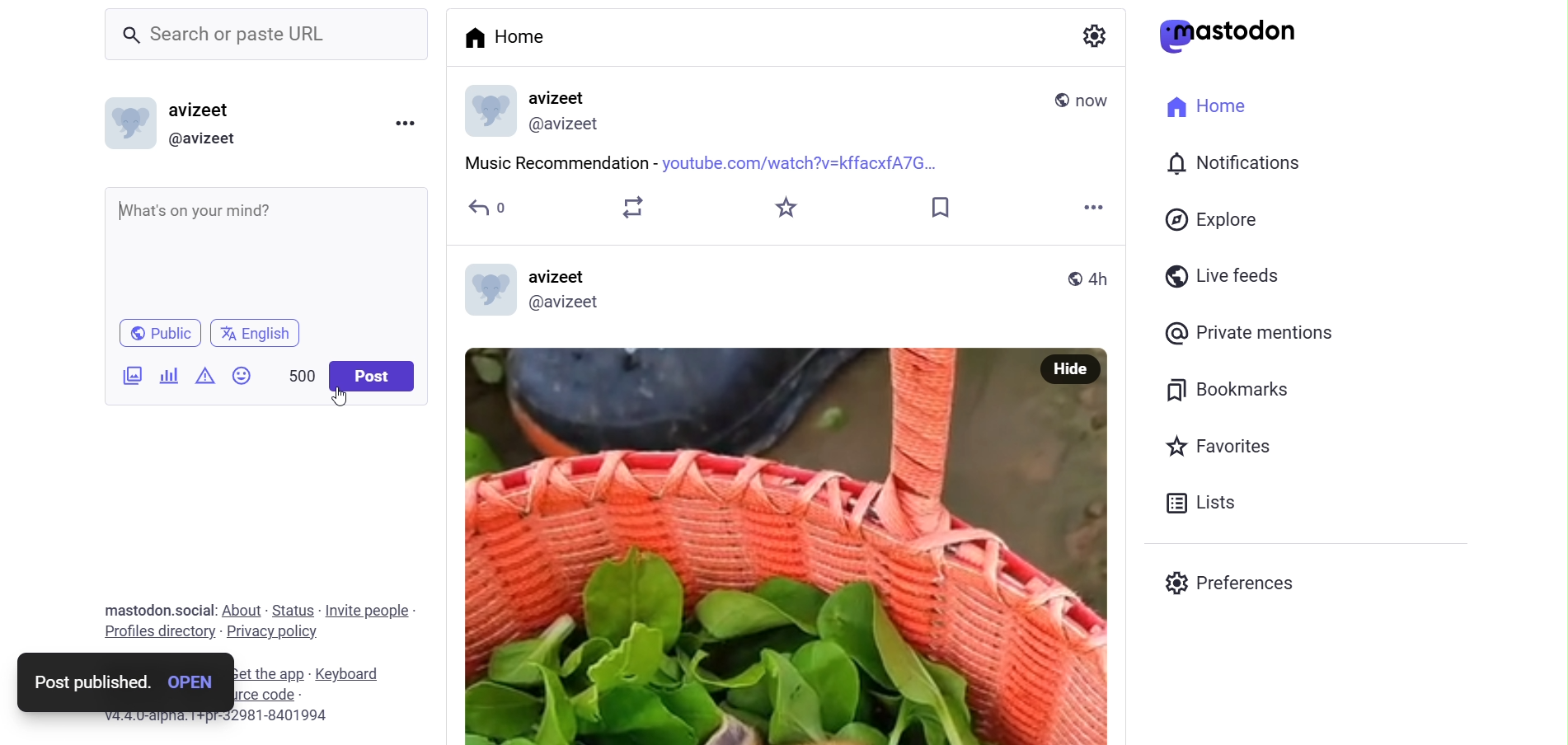  What do you see at coordinates (566, 125) in the screenshot?
I see `@avizeet` at bounding box center [566, 125].